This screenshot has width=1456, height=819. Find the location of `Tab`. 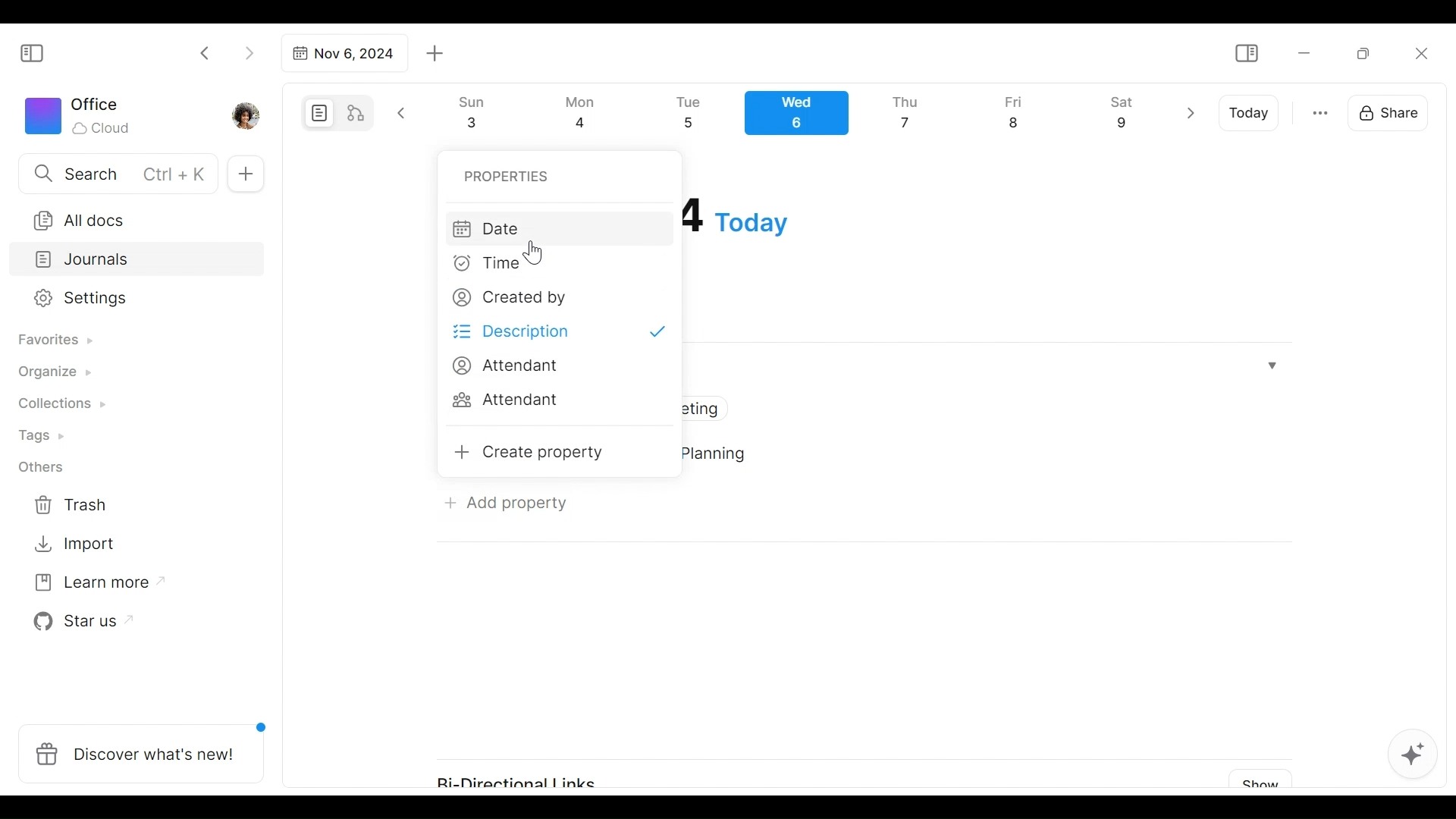

Tab is located at coordinates (342, 53).